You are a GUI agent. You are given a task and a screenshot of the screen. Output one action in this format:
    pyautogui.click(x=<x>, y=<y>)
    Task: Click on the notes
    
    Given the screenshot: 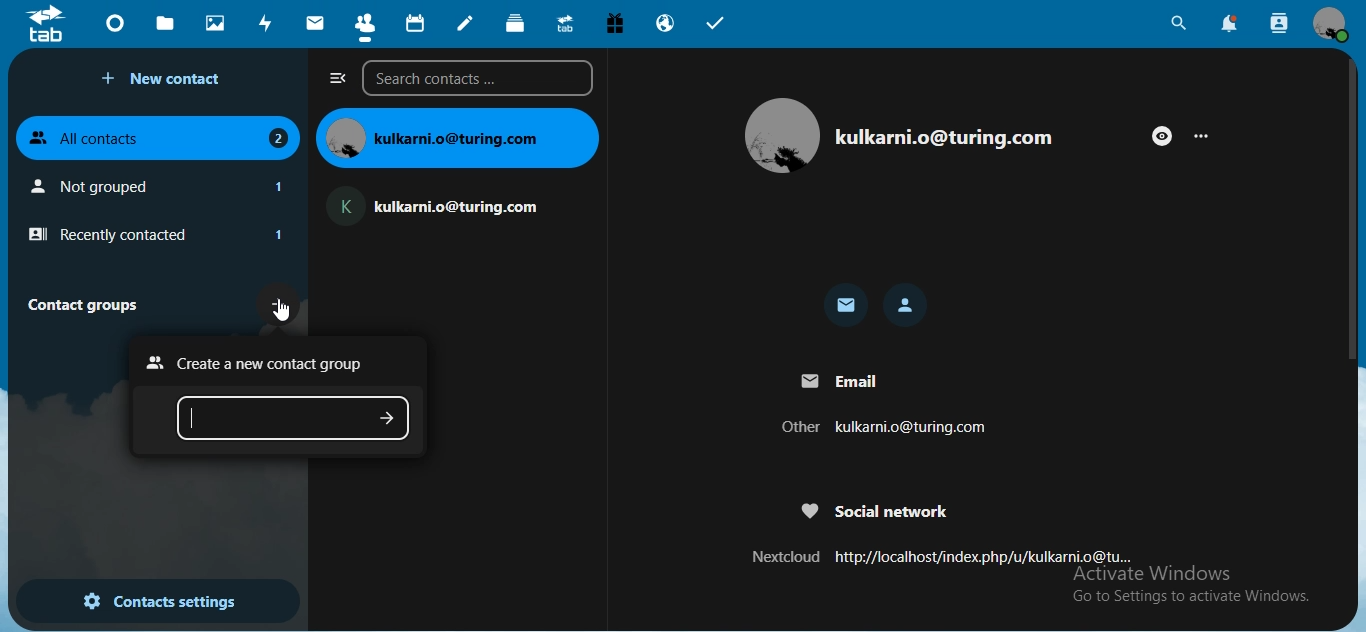 What is the action you would take?
    pyautogui.click(x=466, y=23)
    